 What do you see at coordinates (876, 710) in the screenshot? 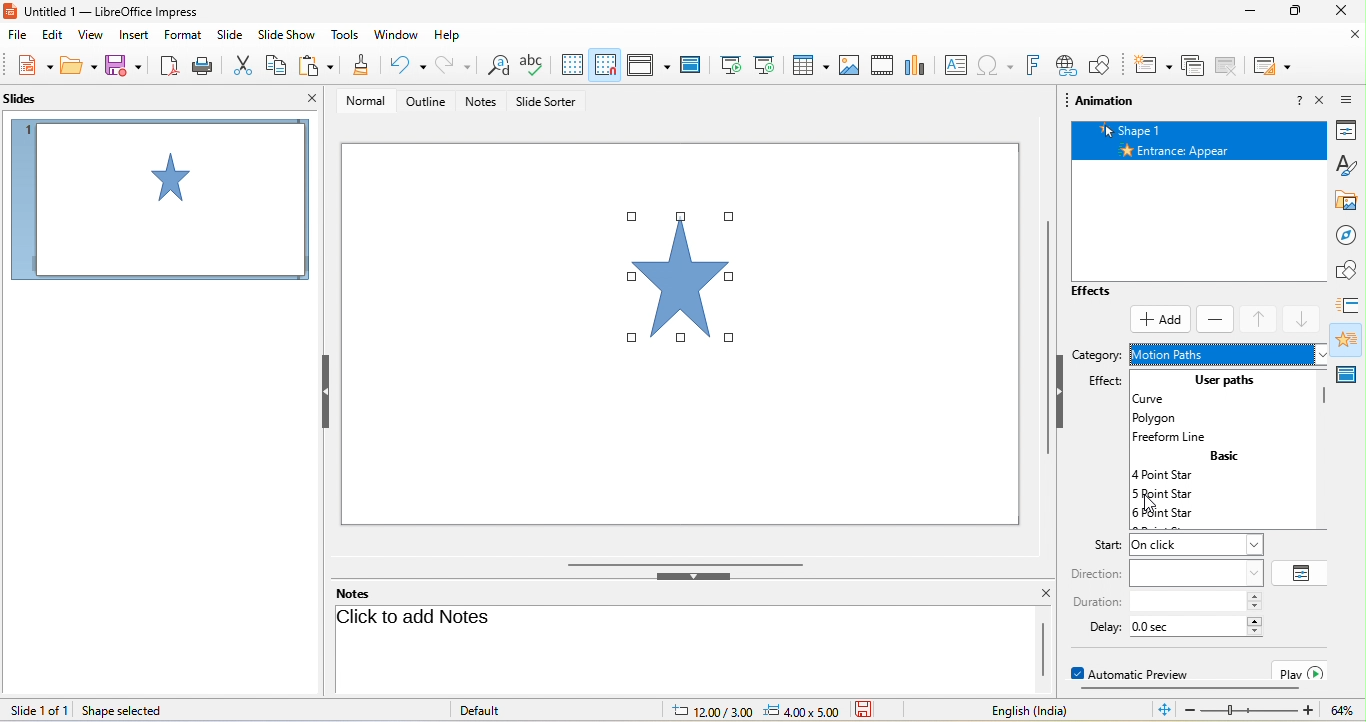
I see `the document has not been modified since the last save` at bounding box center [876, 710].